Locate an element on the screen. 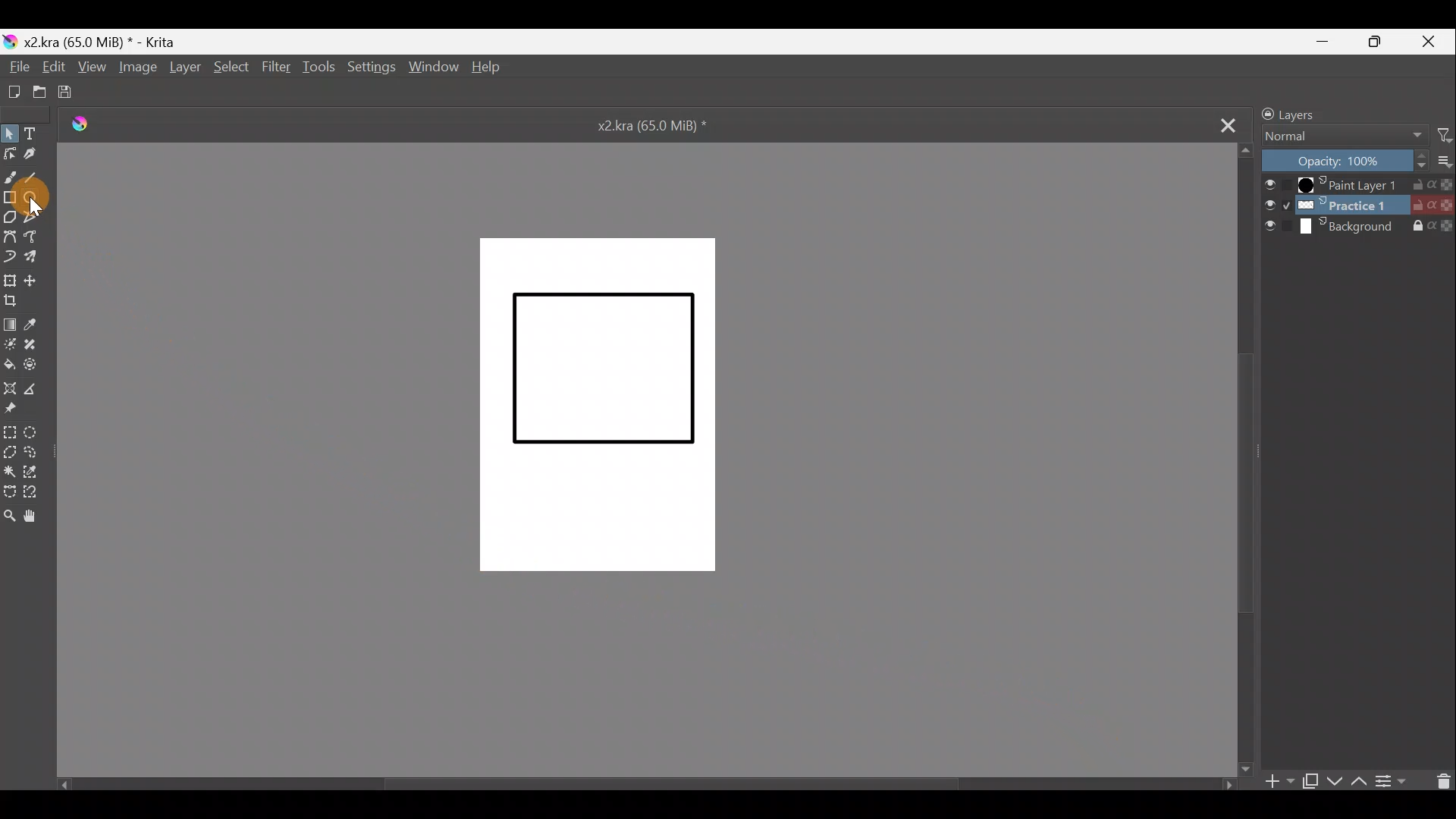 Image resolution: width=1456 pixels, height=819 pixels. Save is located at coordinates (78, 93).